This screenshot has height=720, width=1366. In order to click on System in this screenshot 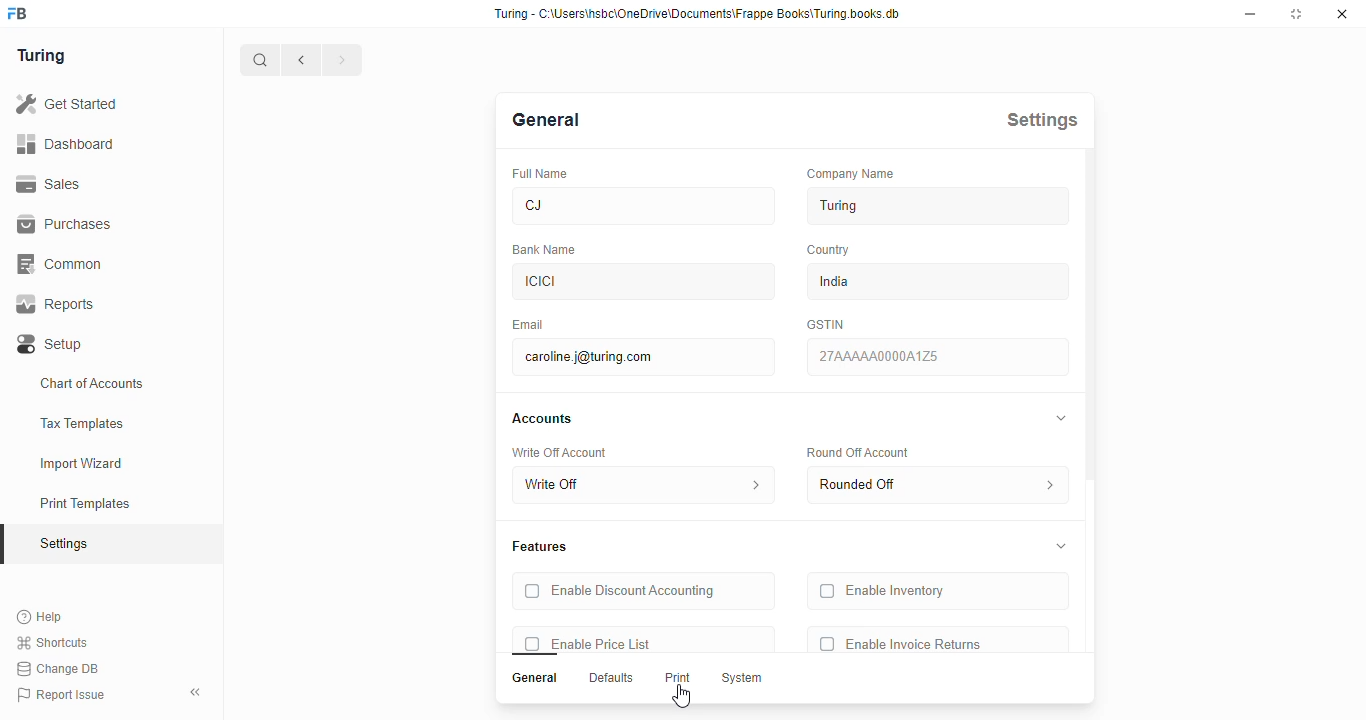, I will do `click(744, 679)`.